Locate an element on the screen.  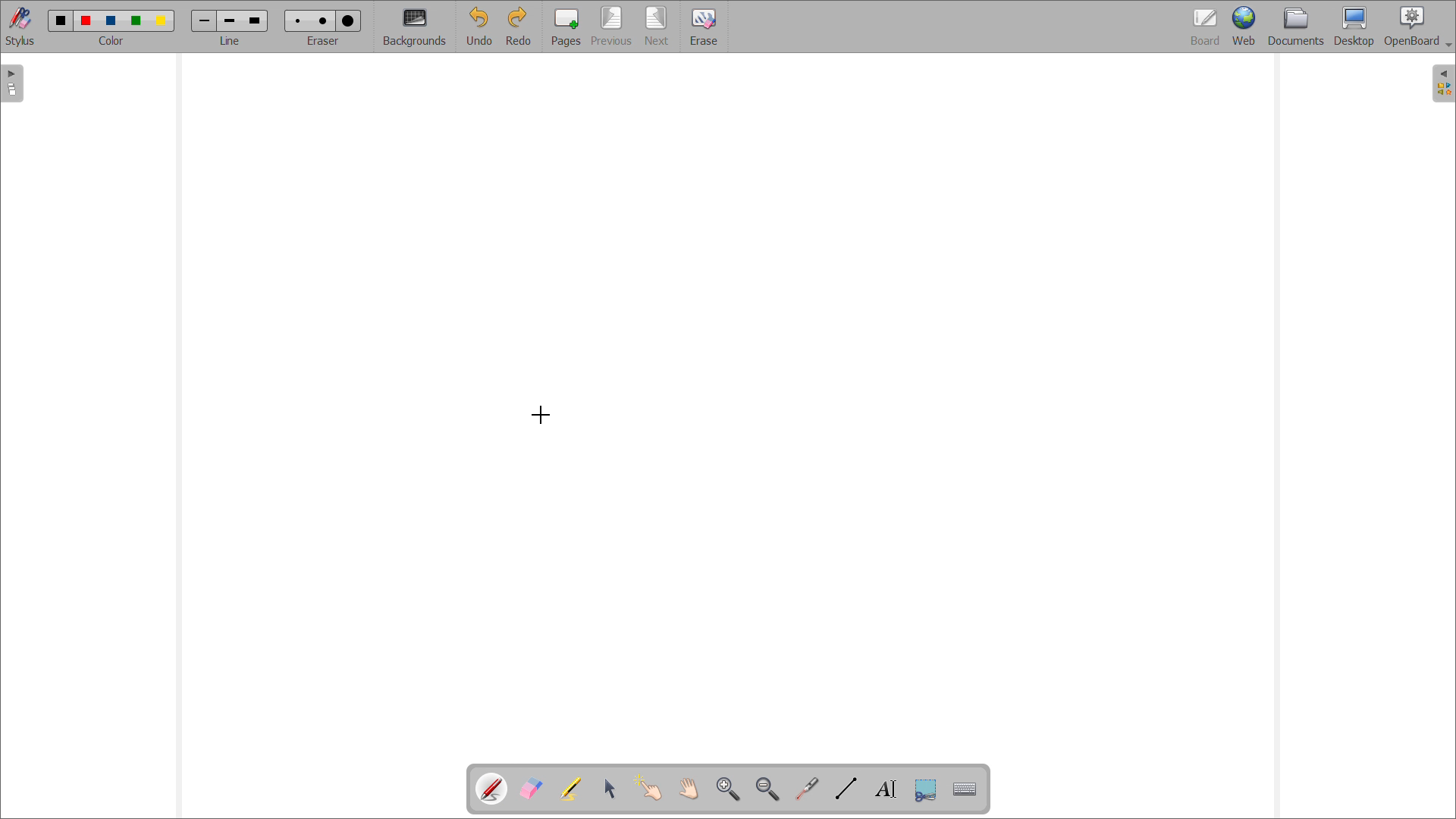
color is located at coordinates (61, 20).